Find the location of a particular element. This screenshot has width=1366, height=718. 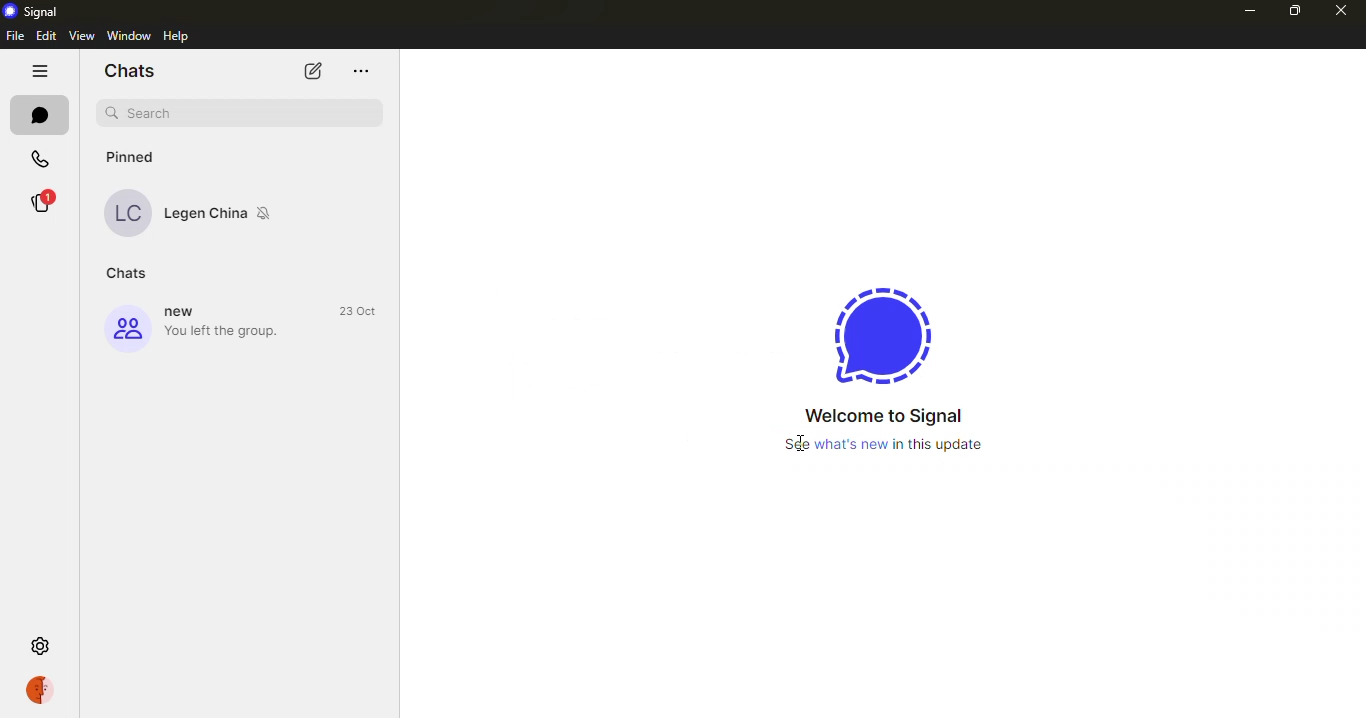

stories is located at coordinates (40, 202).